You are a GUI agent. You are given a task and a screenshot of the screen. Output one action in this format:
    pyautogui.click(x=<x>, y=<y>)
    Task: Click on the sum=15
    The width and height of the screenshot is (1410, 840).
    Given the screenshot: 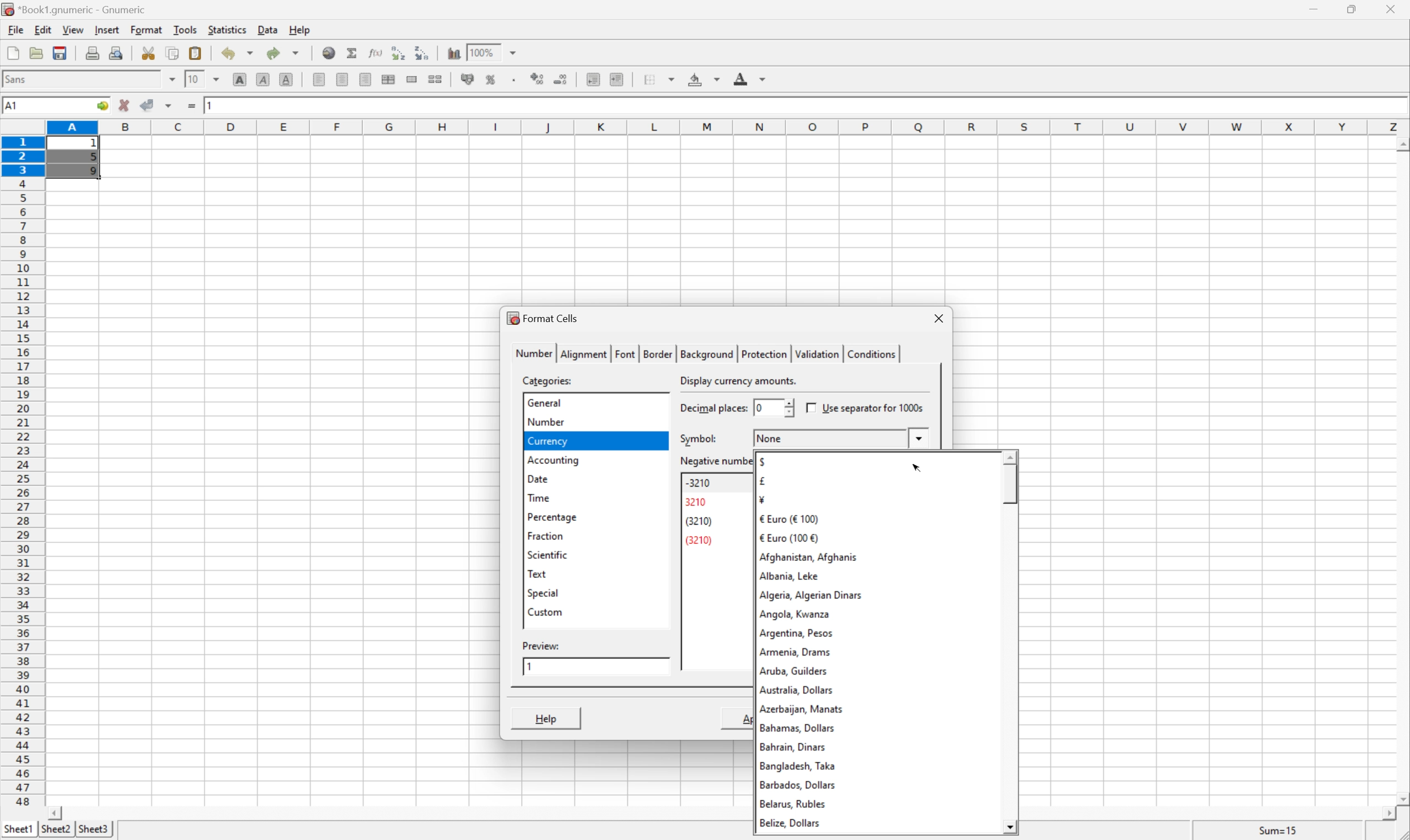 What is the action you would take?
    pyautogui.click(x=1278, y=830)
    